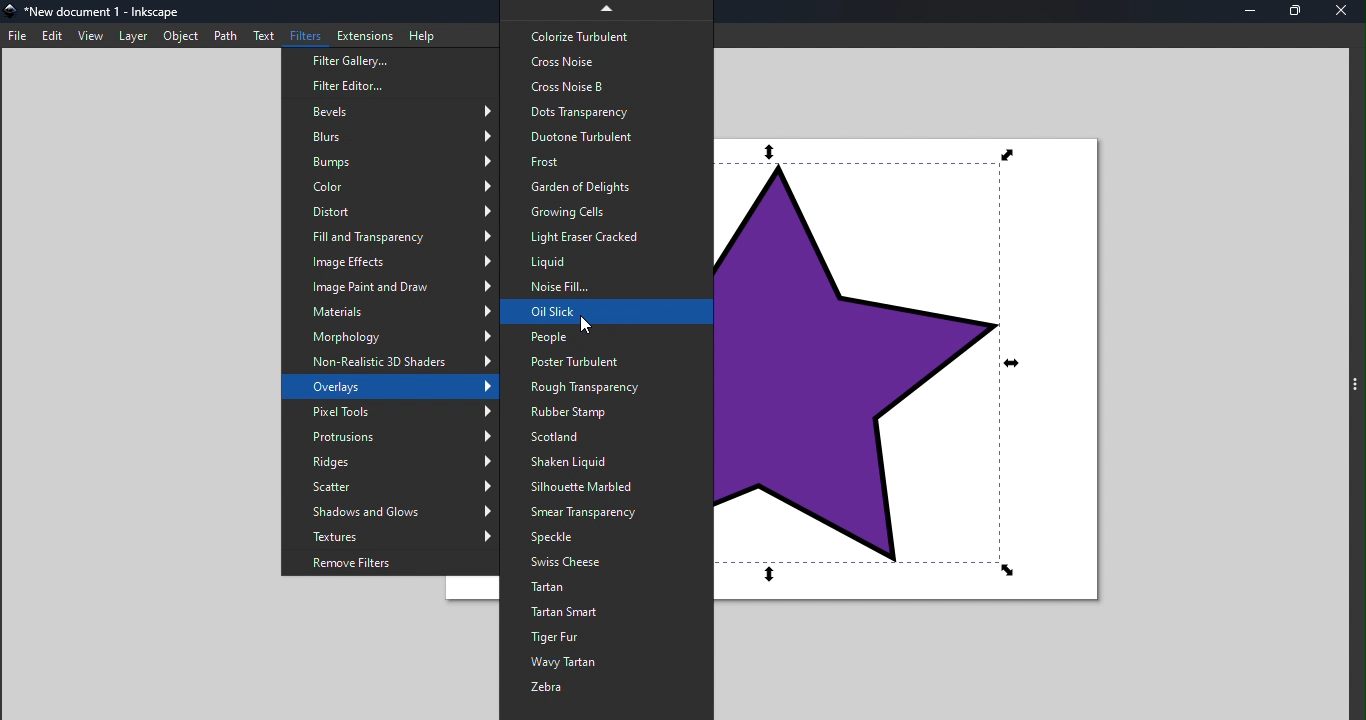 The image size is (1366, 720). What do you see at coordinates (608, 538) in the screenshot?
I see `Speckle` at bounding box center [608, 538].